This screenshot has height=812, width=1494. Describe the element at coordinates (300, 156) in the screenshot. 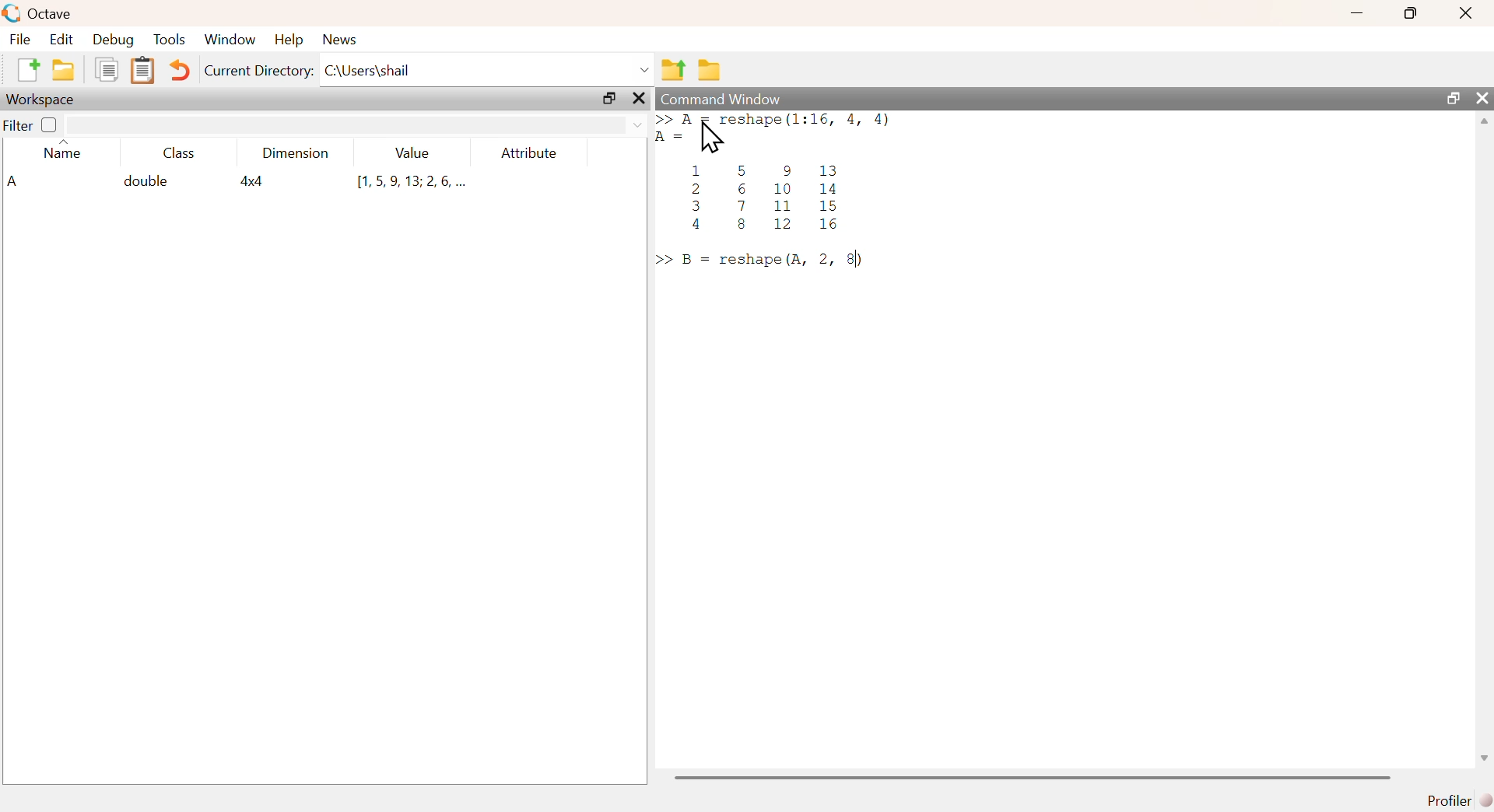

I see `dimension` at that location.